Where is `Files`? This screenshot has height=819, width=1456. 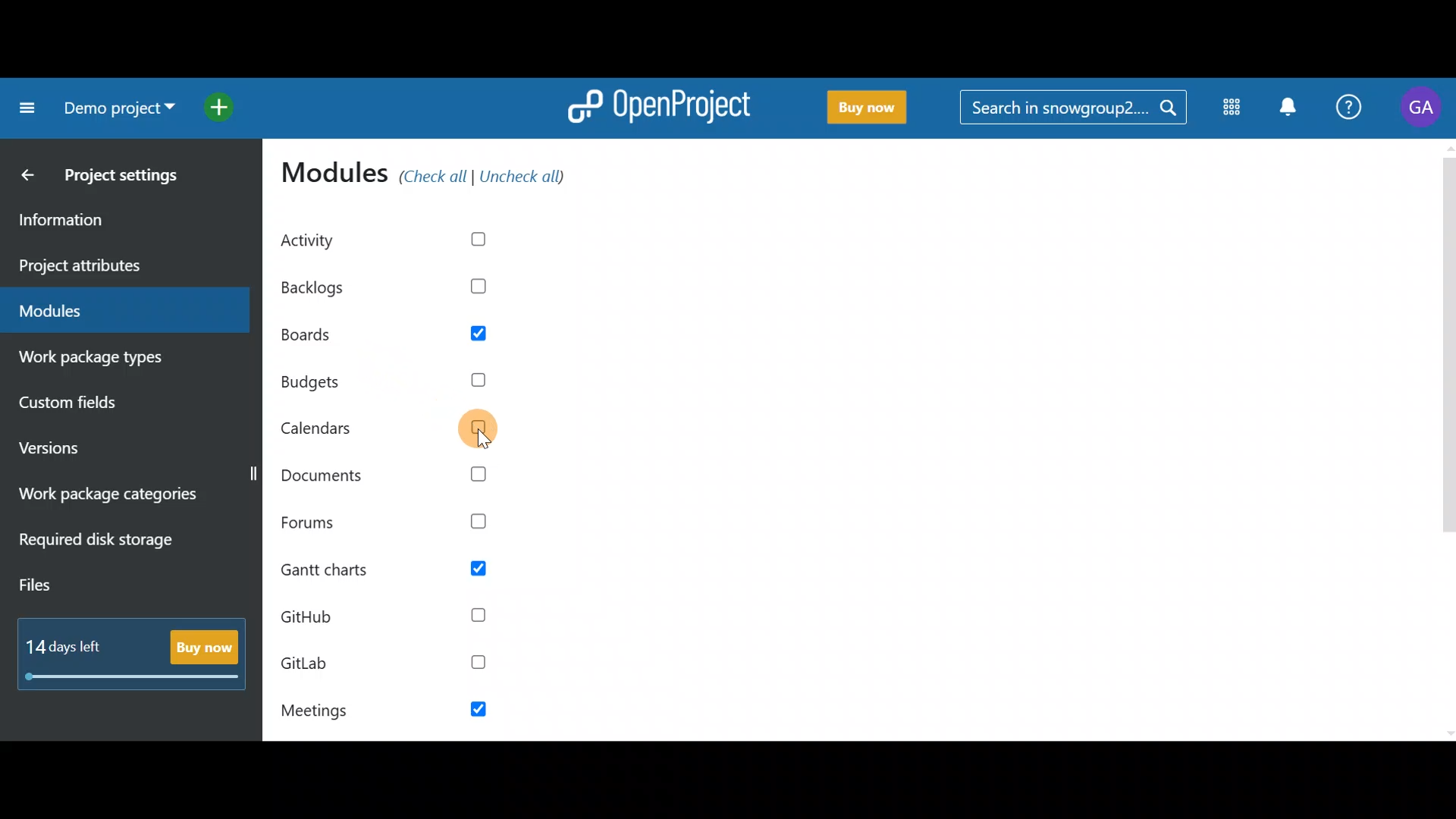
Files is located at coordinates (79, 588).